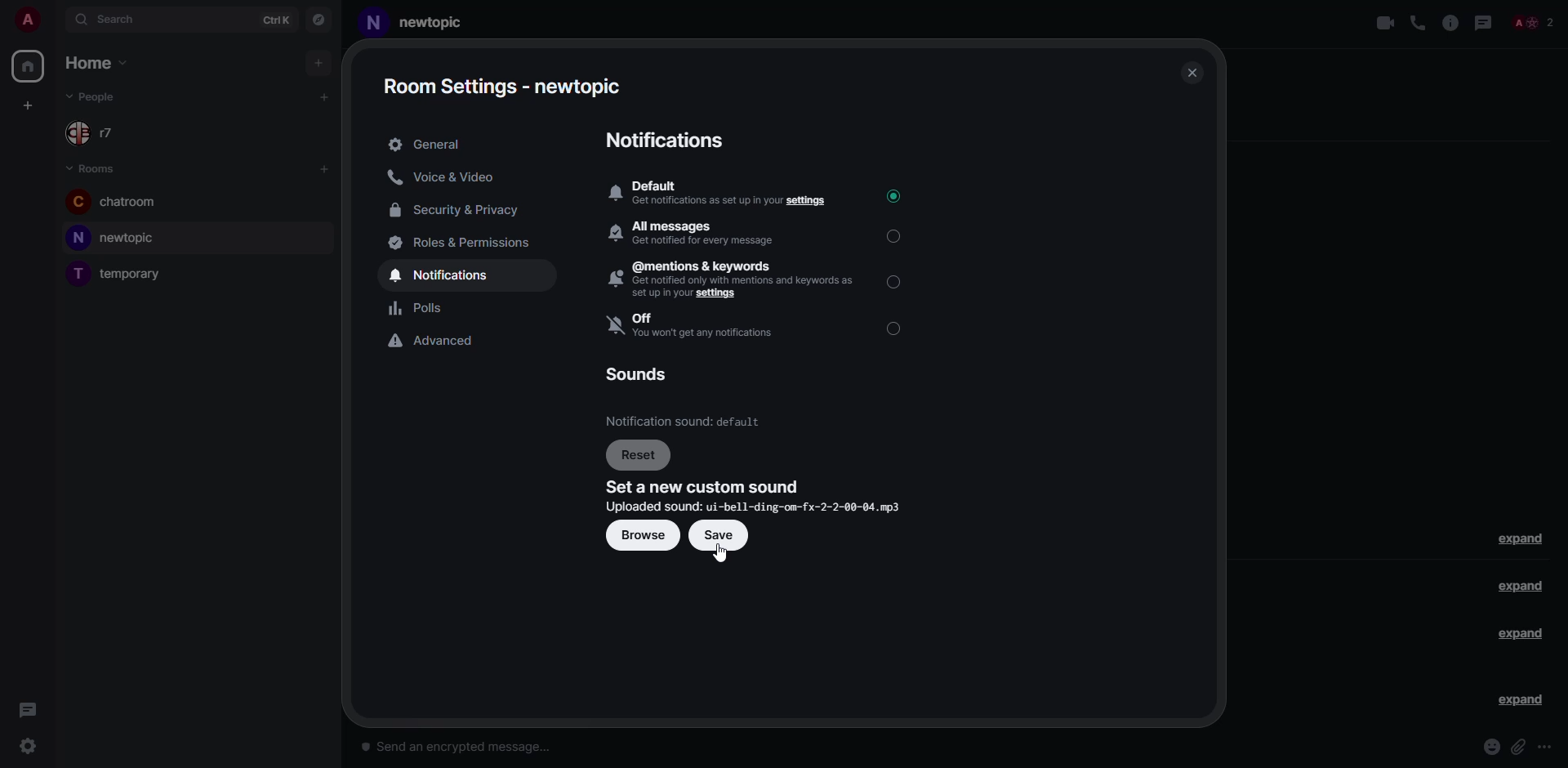 The height and width of the screenshot is (768, 1568). I want to click on polls, so click(426, 308).